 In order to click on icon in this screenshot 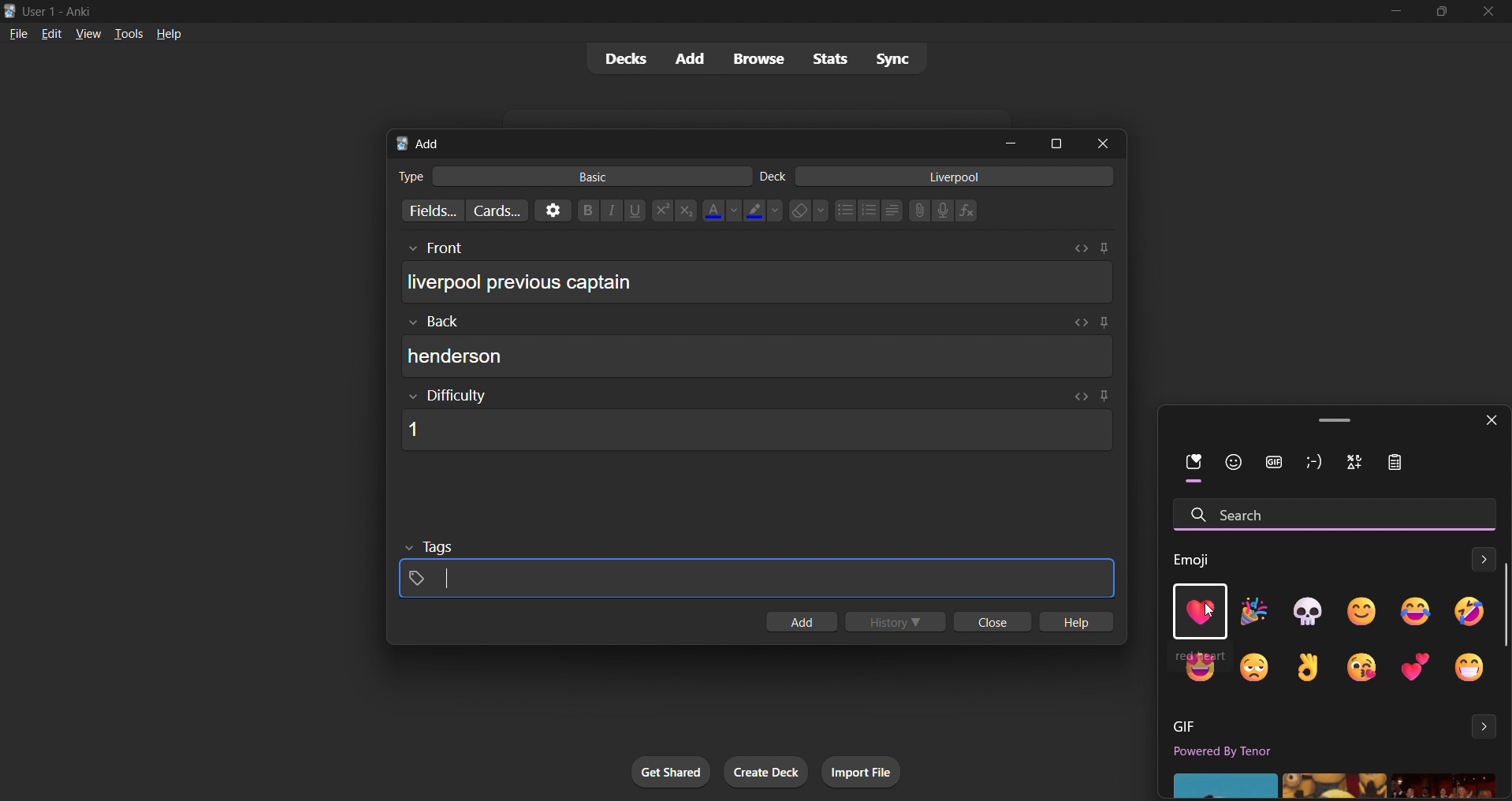, I will do `click(1357, 464)`.